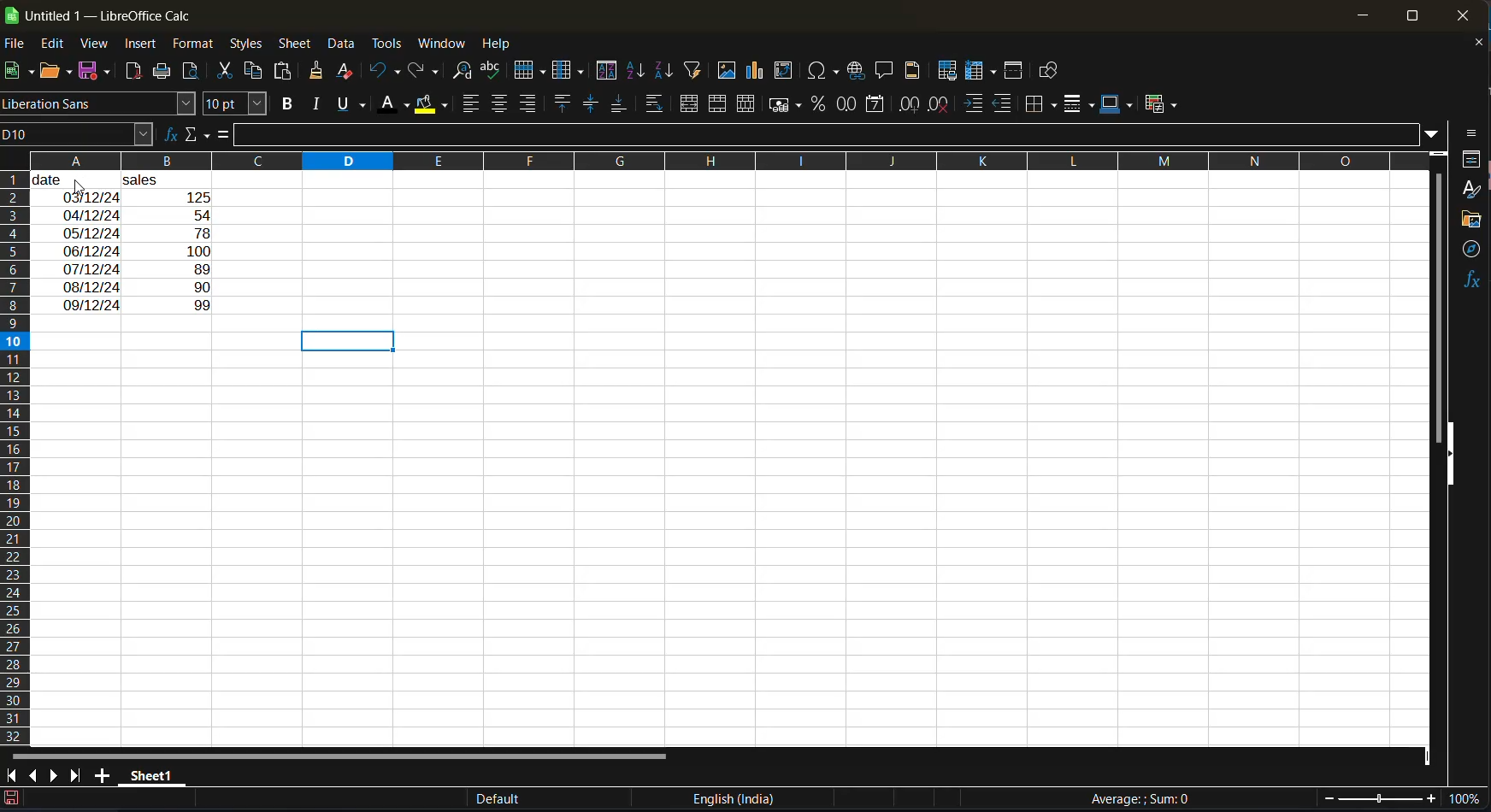 Image resolution: width=1491 pixels, height=812 pixels. What do you see at coordinates (386, 72) in the screenshot?
I see `undo` at bounding box center [386, 72].